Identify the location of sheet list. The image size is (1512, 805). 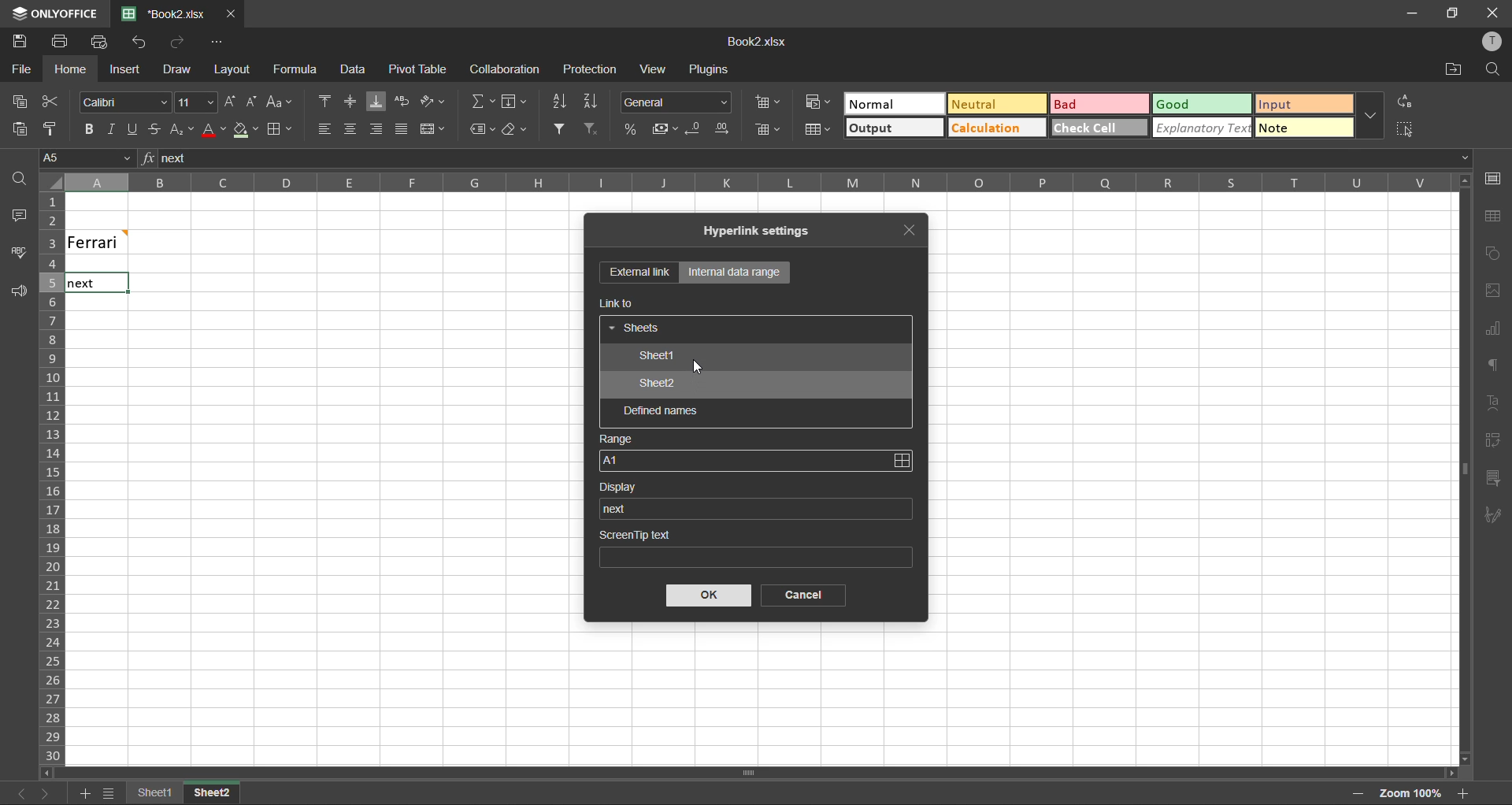
(111, 793).